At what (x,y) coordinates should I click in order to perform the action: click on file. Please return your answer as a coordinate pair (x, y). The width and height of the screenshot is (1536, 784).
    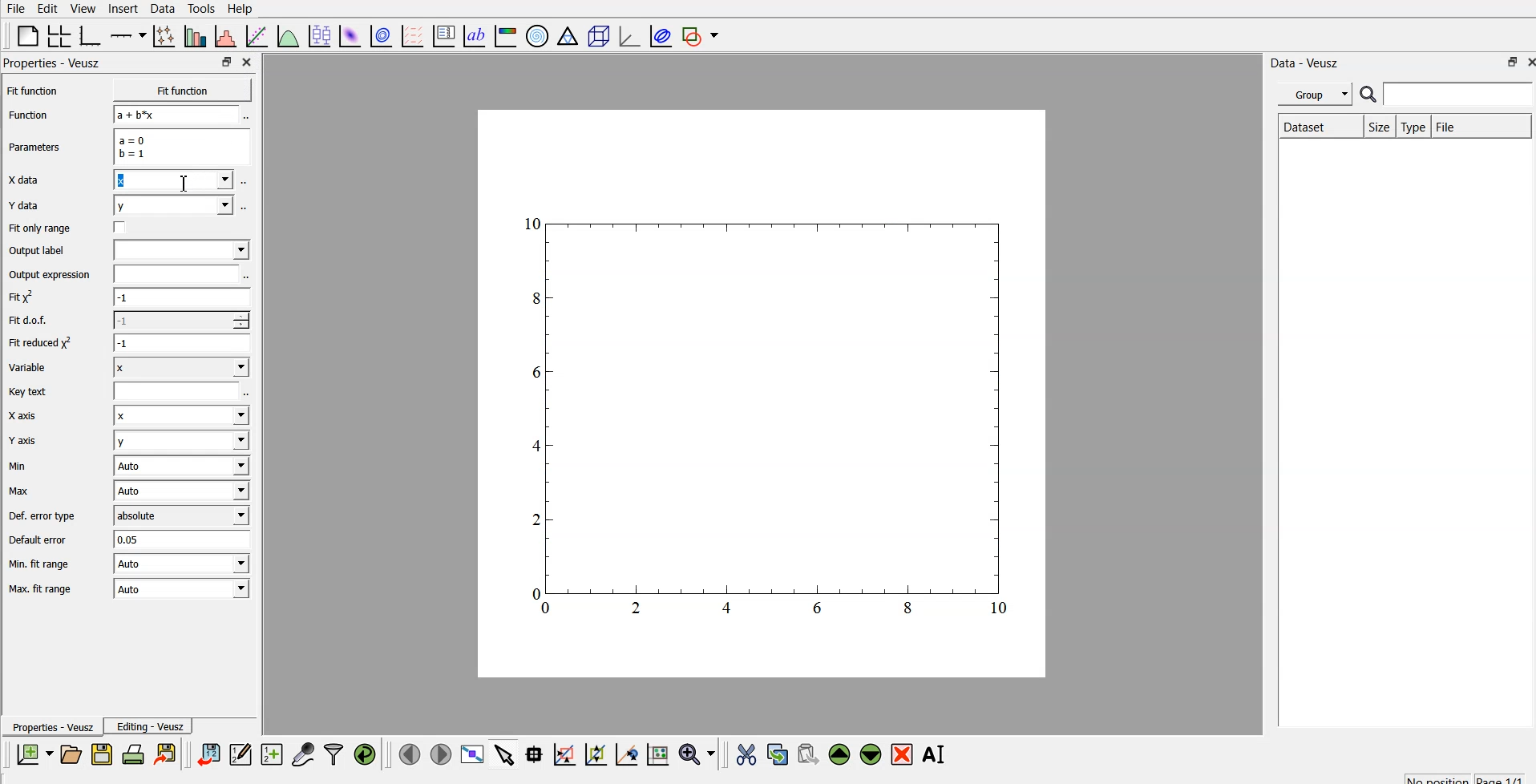
    Looking at the image, I should click on (1478, 126).